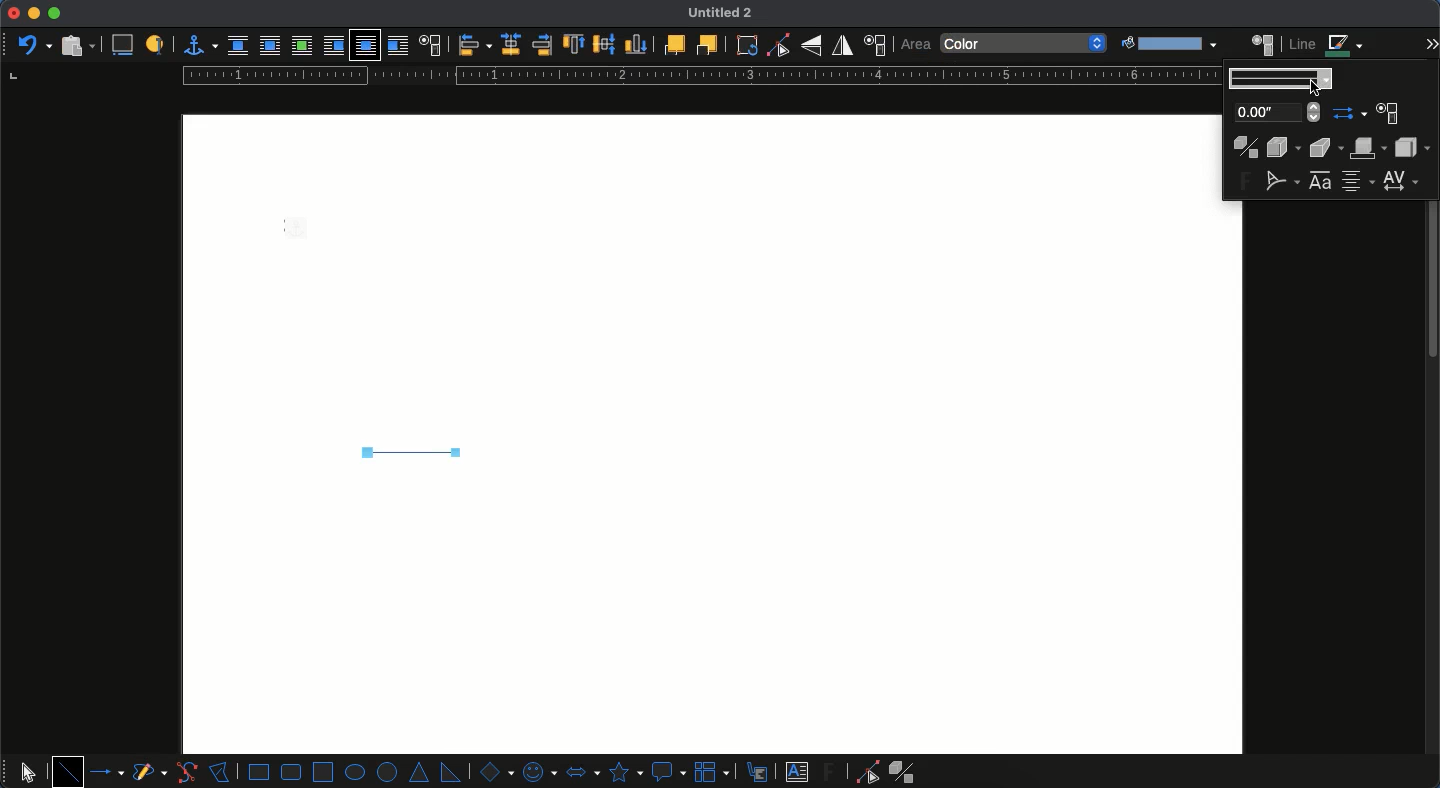  I want to click on footwork text, so click(1245, 182).